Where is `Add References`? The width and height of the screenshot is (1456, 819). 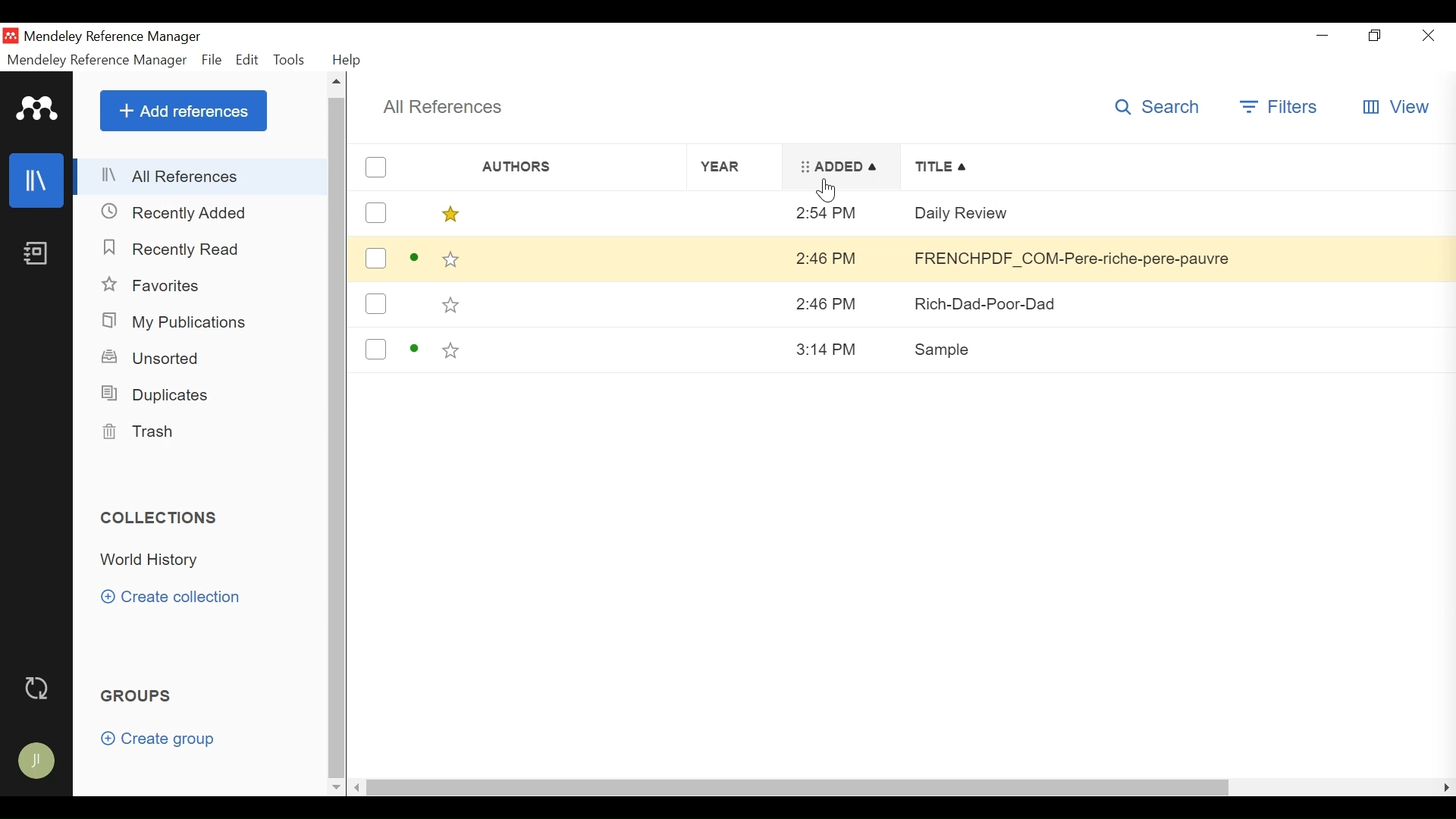 Add References is located at coordinates (183, 111).